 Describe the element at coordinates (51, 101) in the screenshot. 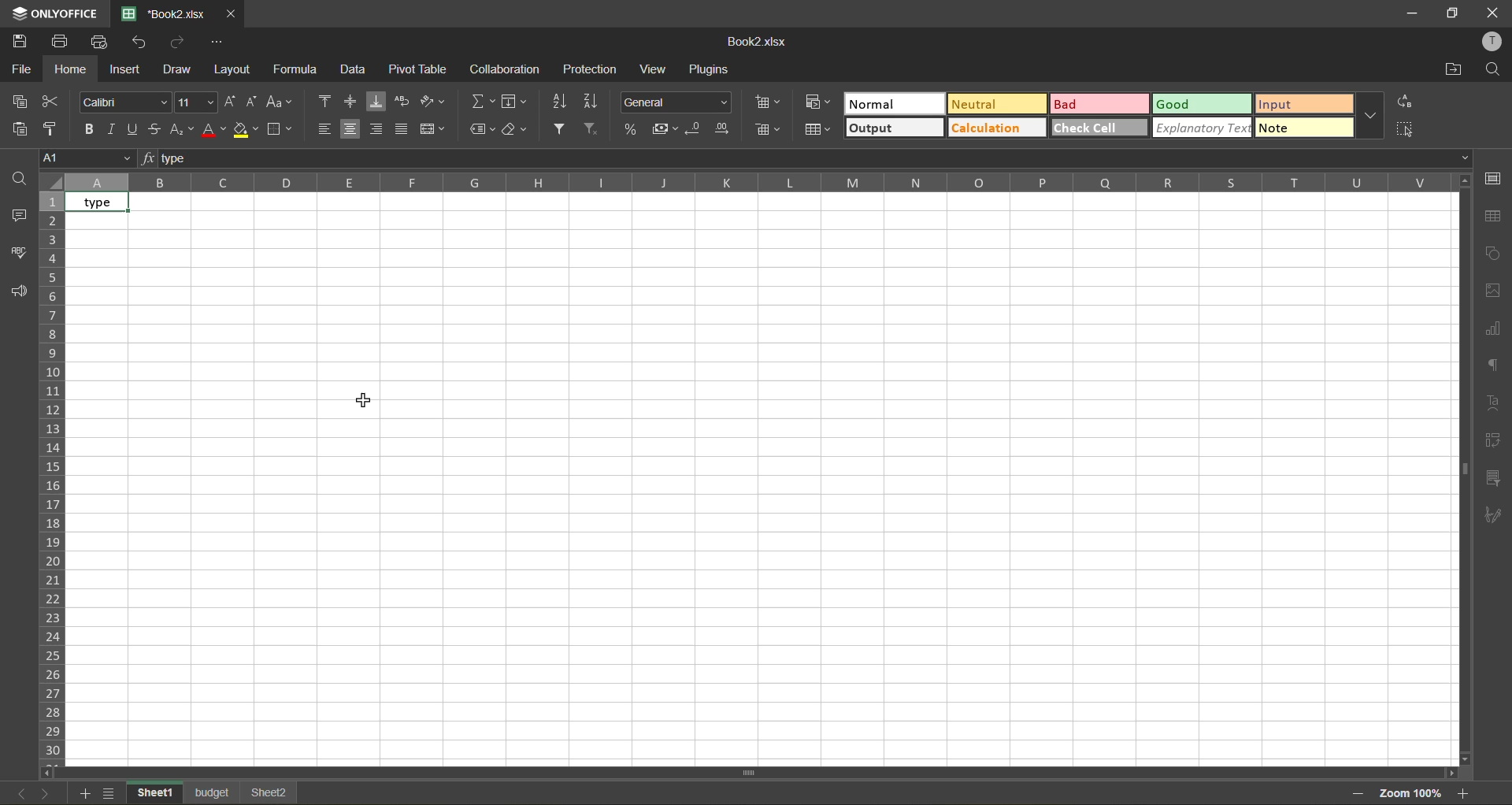

I see `cut` at that location.